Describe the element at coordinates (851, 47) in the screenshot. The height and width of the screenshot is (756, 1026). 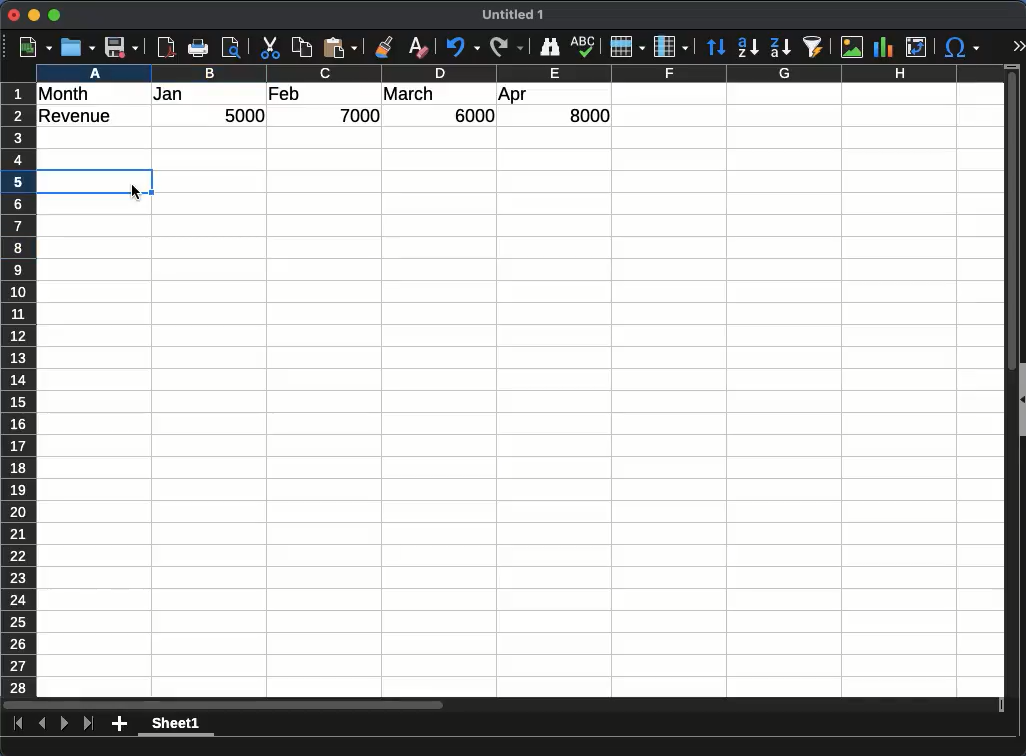
I see `image` at that location.